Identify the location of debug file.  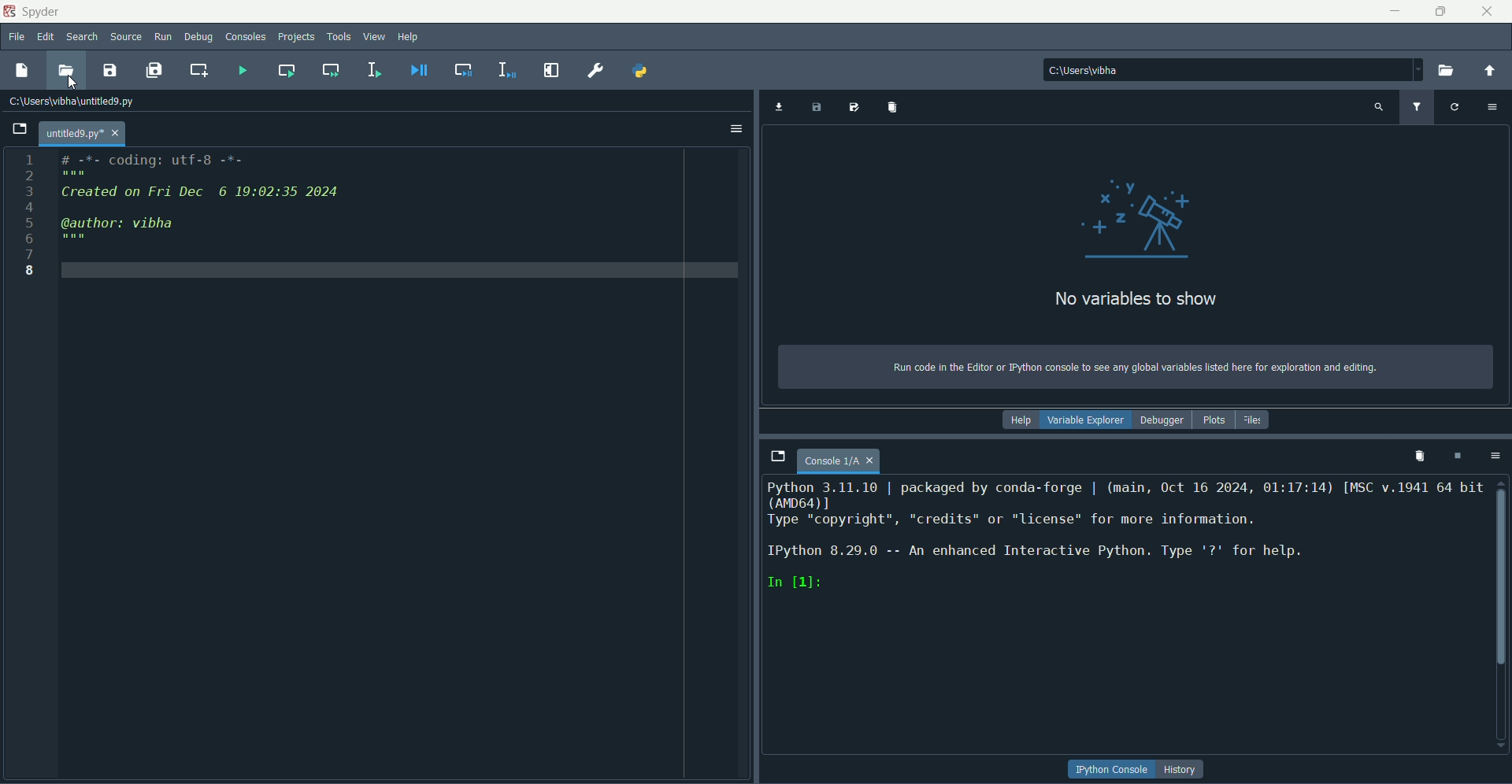
(420, 69).